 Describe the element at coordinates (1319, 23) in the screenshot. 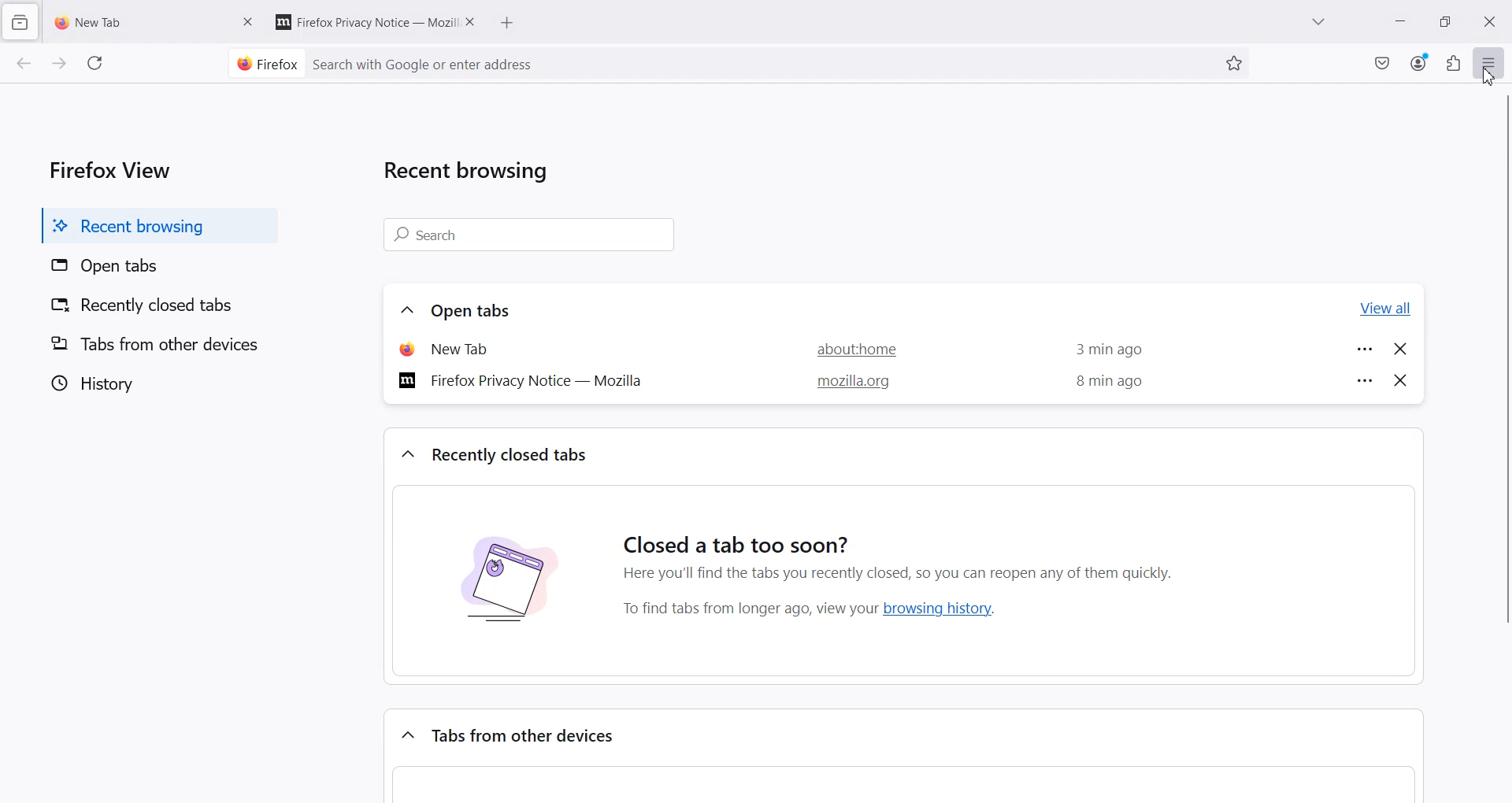

I see `List all tab` at that location.